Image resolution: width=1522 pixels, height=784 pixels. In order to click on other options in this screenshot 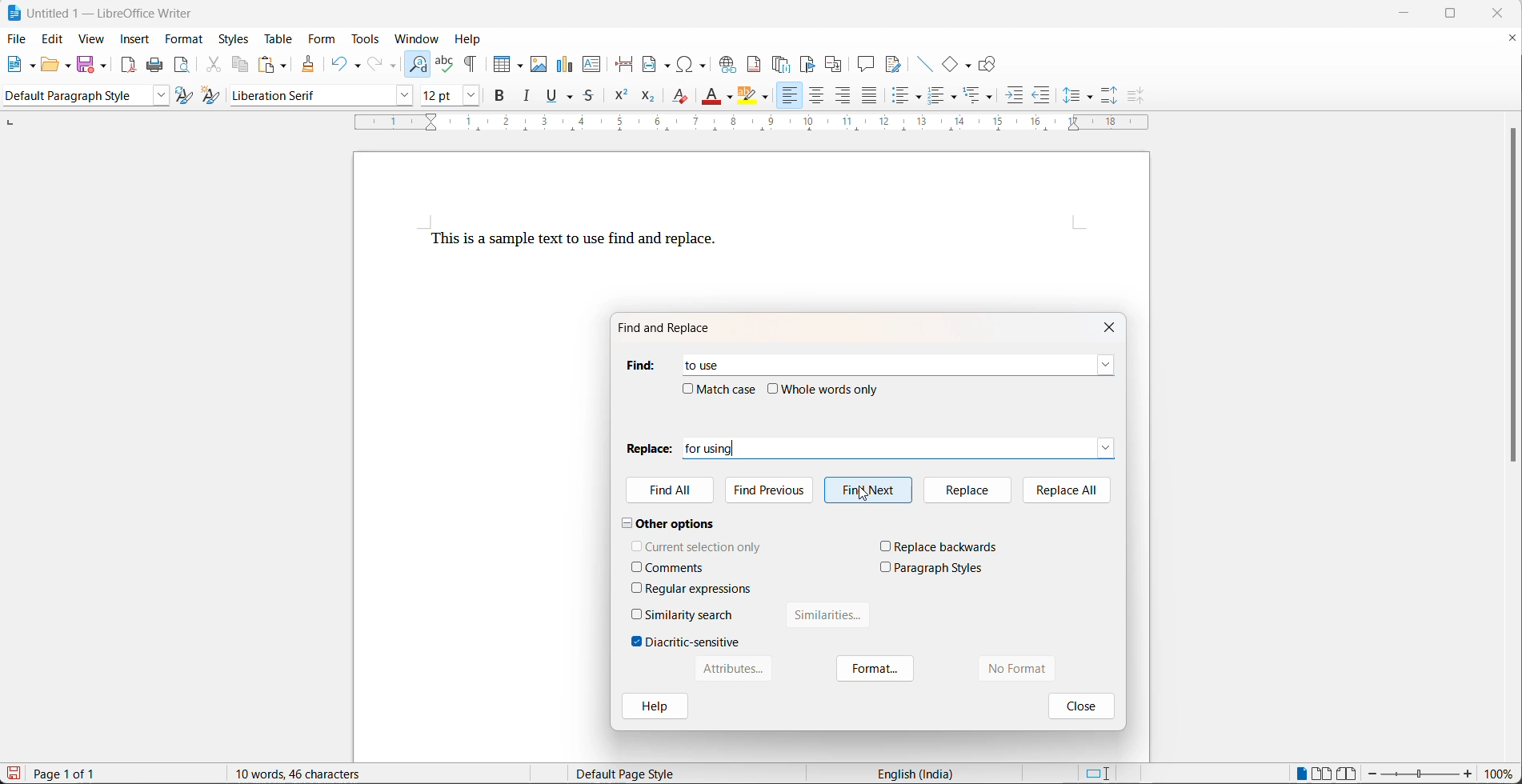, I will do `click(669, 522)`.